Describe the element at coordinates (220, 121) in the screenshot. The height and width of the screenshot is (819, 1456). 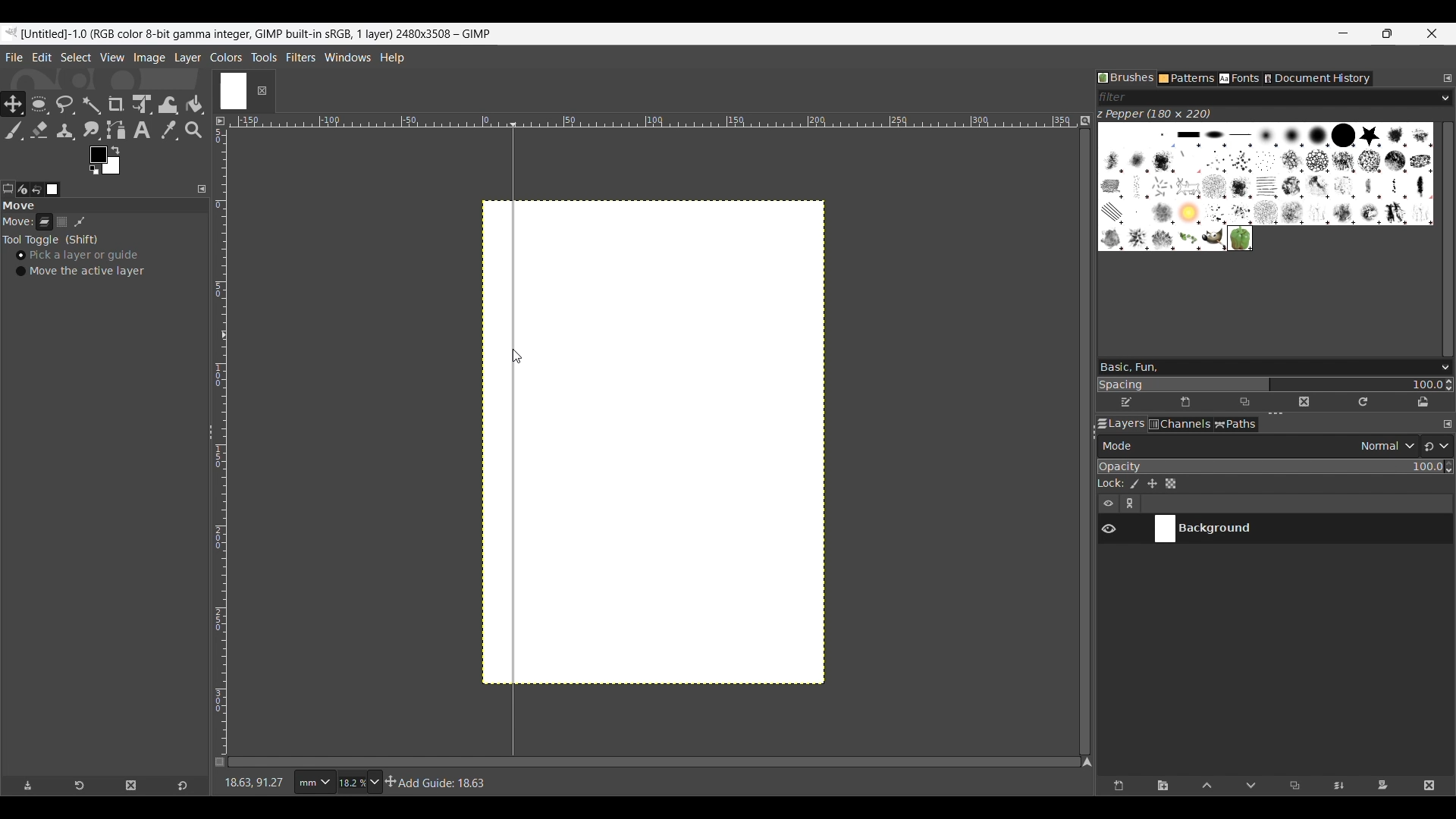
I see `Access the image menu` at that location.